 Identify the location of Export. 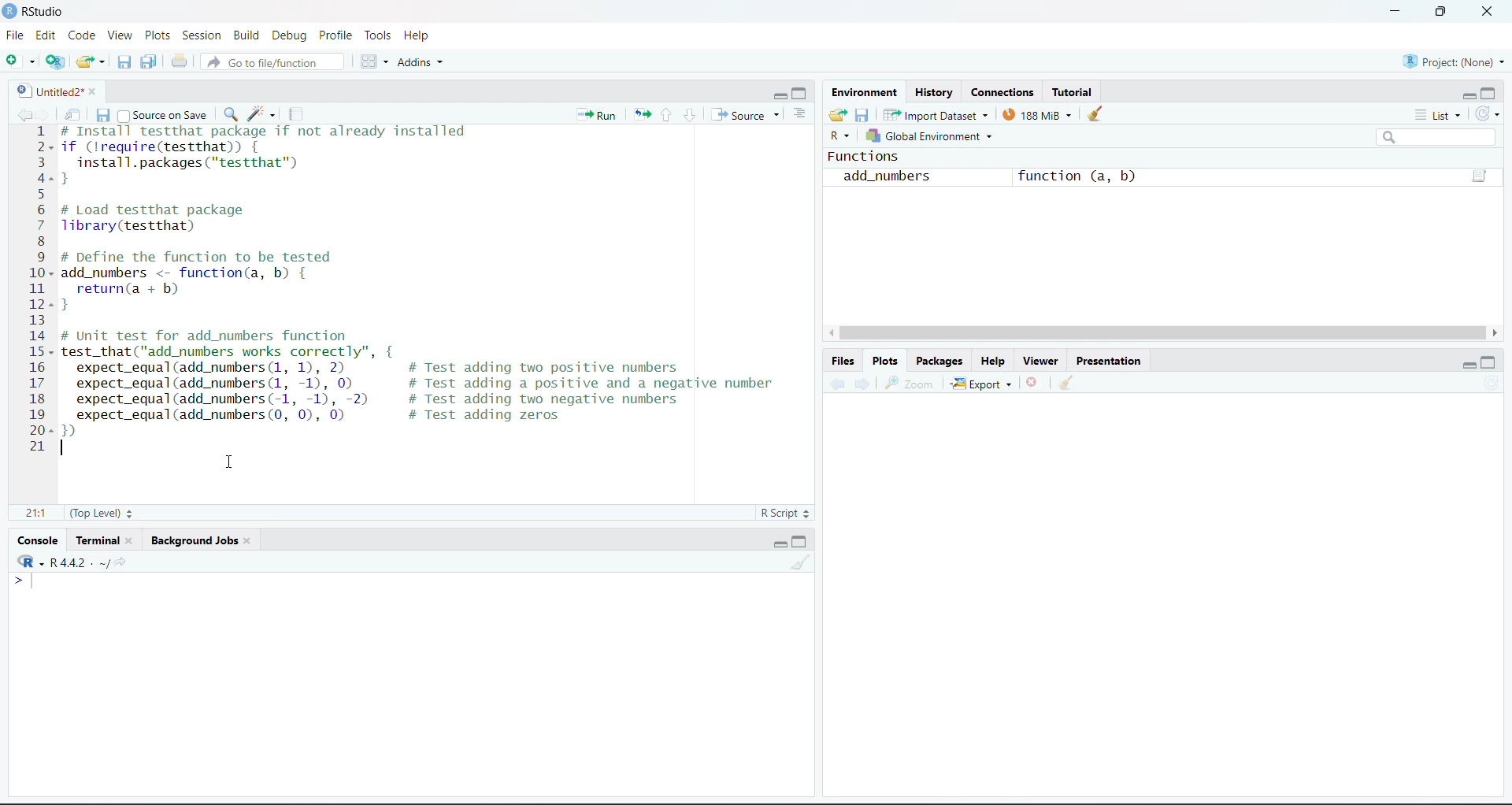
(983, 384).